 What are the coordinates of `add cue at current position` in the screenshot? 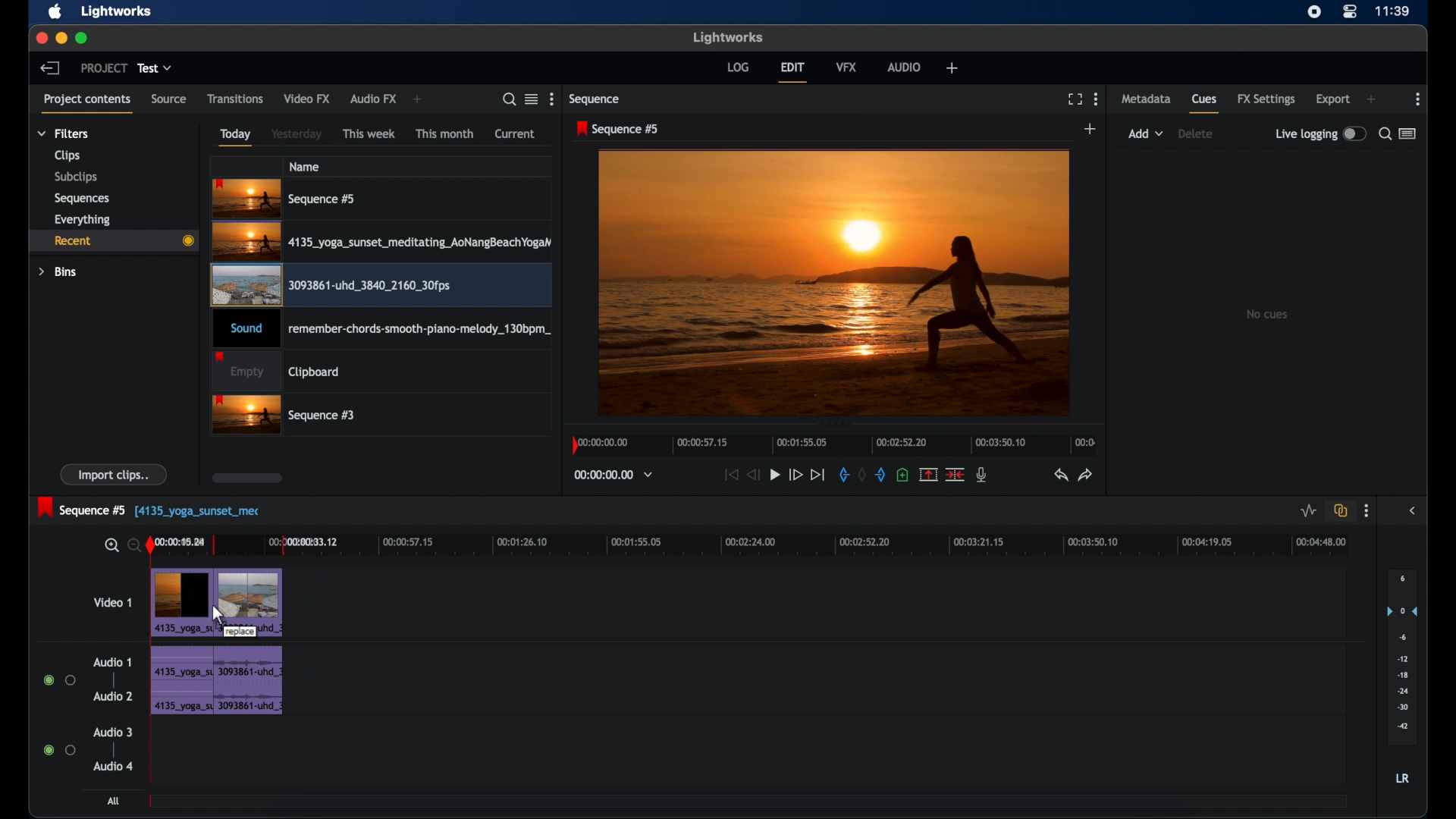 It's located at (902, 474).